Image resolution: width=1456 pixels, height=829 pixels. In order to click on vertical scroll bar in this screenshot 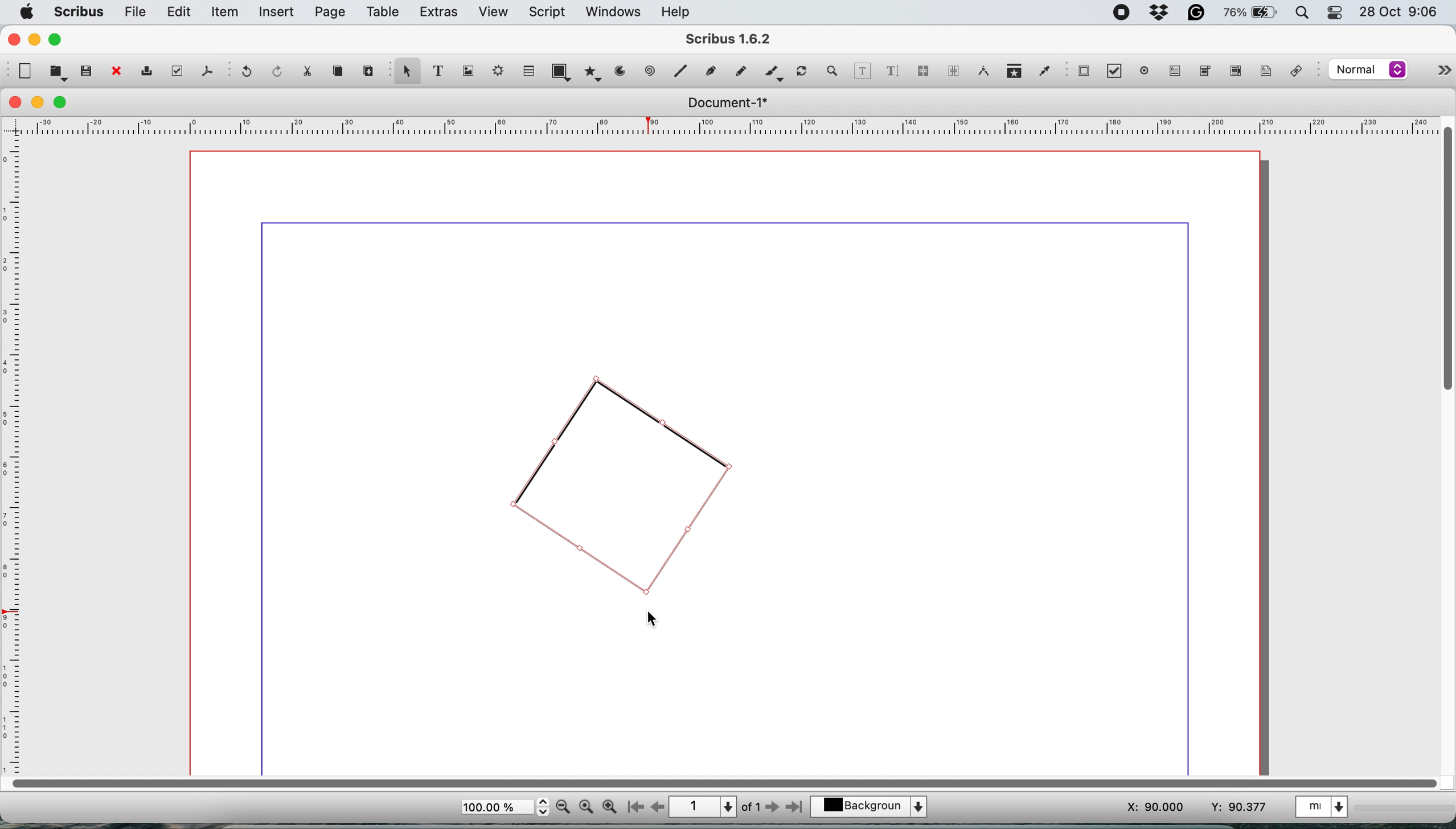, I will do `click(1443, 261)`.